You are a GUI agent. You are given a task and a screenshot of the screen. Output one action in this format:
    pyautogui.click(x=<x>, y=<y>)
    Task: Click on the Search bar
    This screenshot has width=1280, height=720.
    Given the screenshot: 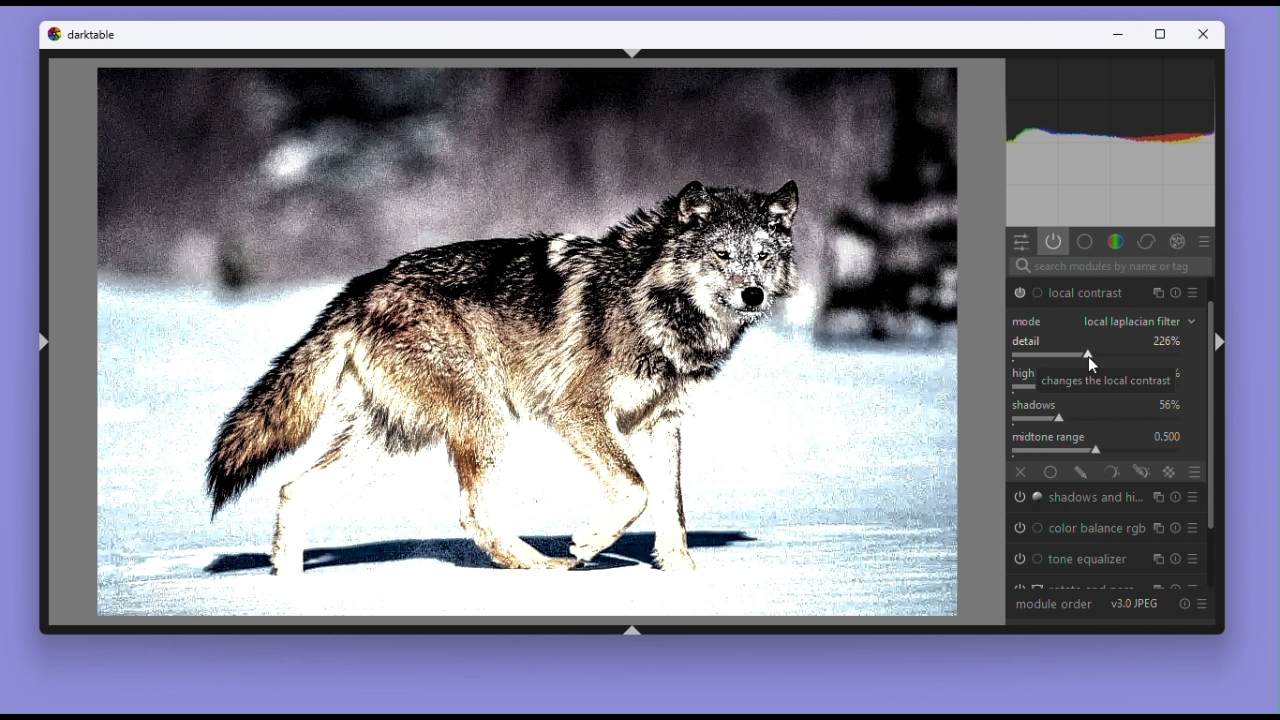 What is the action you would take?
    pyautogui.click(x=1111, y=265)
    